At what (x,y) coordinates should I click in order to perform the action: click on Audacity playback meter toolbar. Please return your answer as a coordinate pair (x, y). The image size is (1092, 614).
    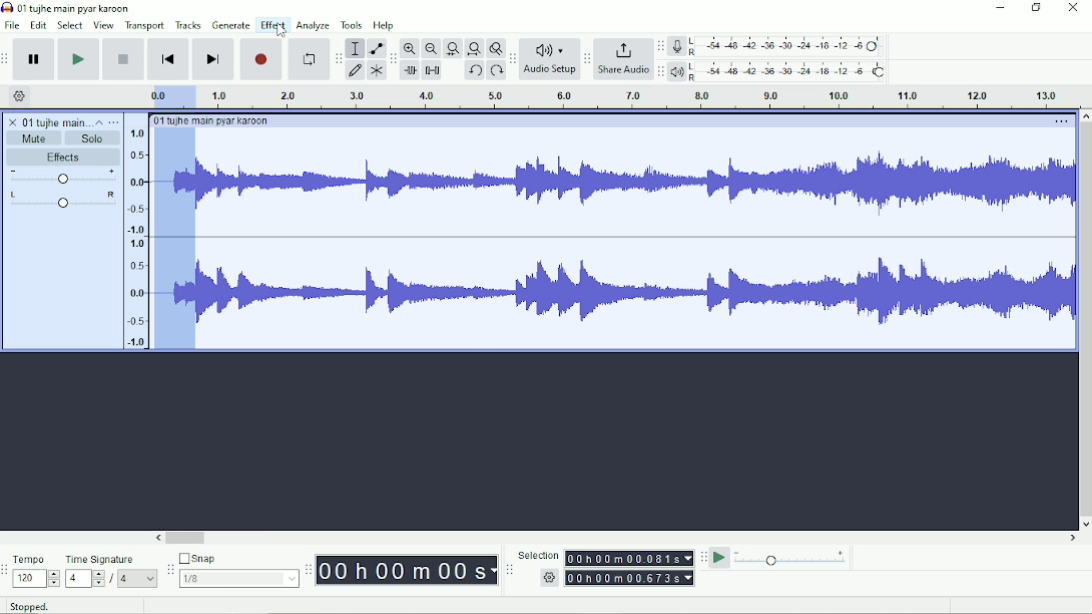
    Looking at the image, I should click on (660, 71).